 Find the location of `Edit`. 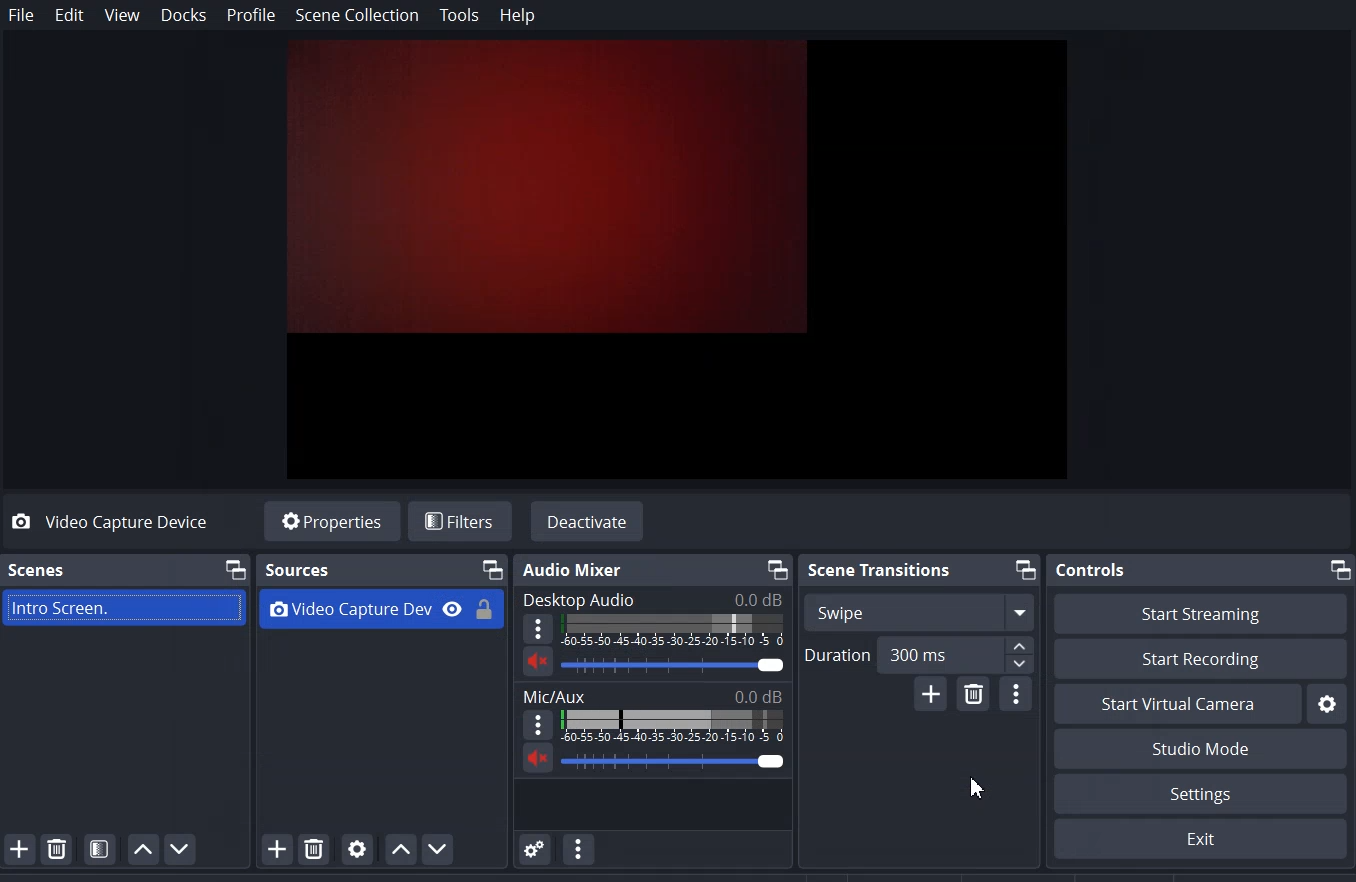

Edit is located at coordinates (71, 15).